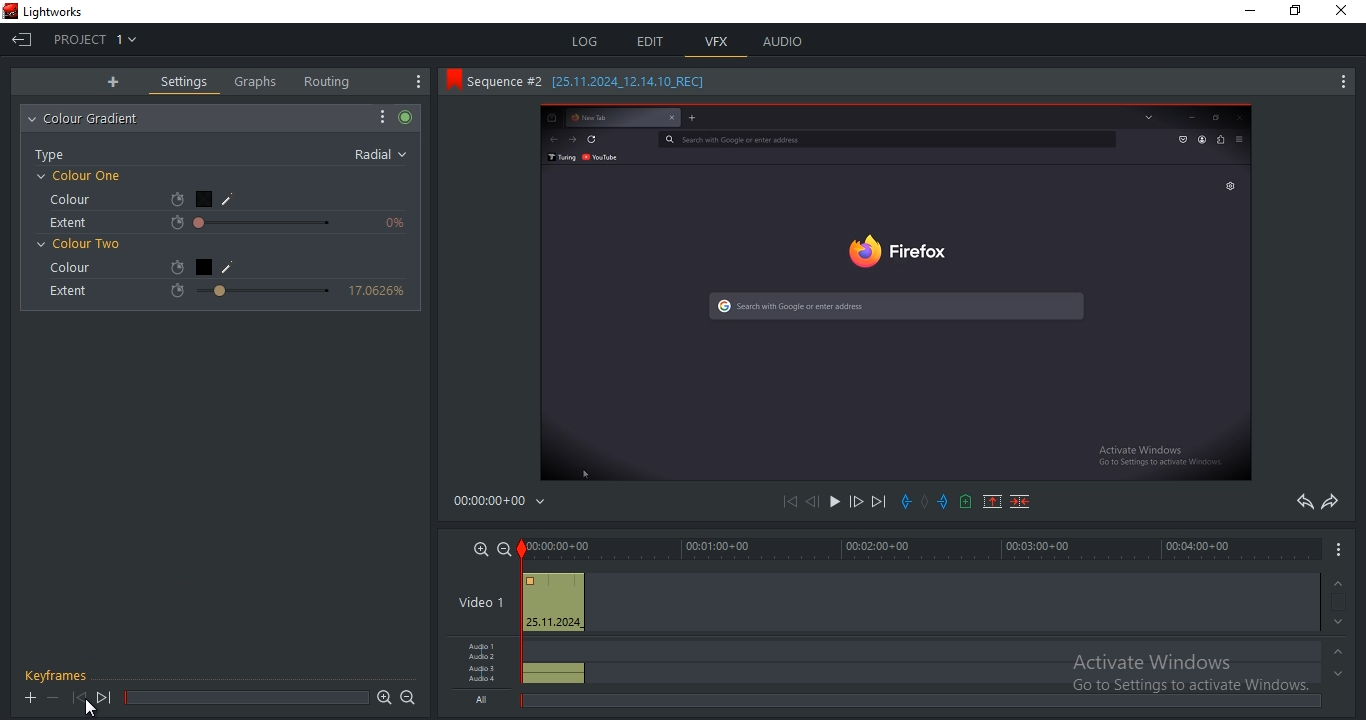 This screenshot has width=1366, height=720. I want to click on , so click(54, 698).